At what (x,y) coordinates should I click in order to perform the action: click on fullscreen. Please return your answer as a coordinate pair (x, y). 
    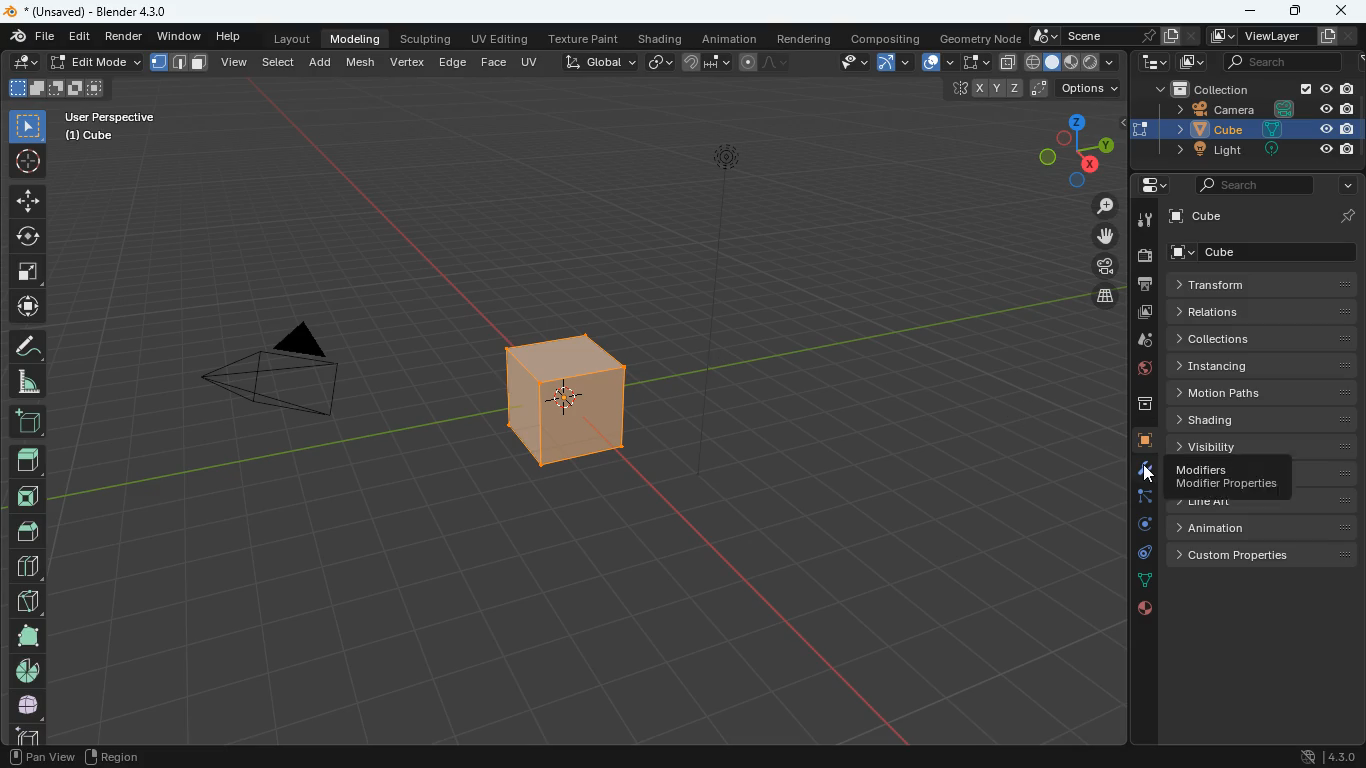
    Looking at the image, I should click on (26, 272).